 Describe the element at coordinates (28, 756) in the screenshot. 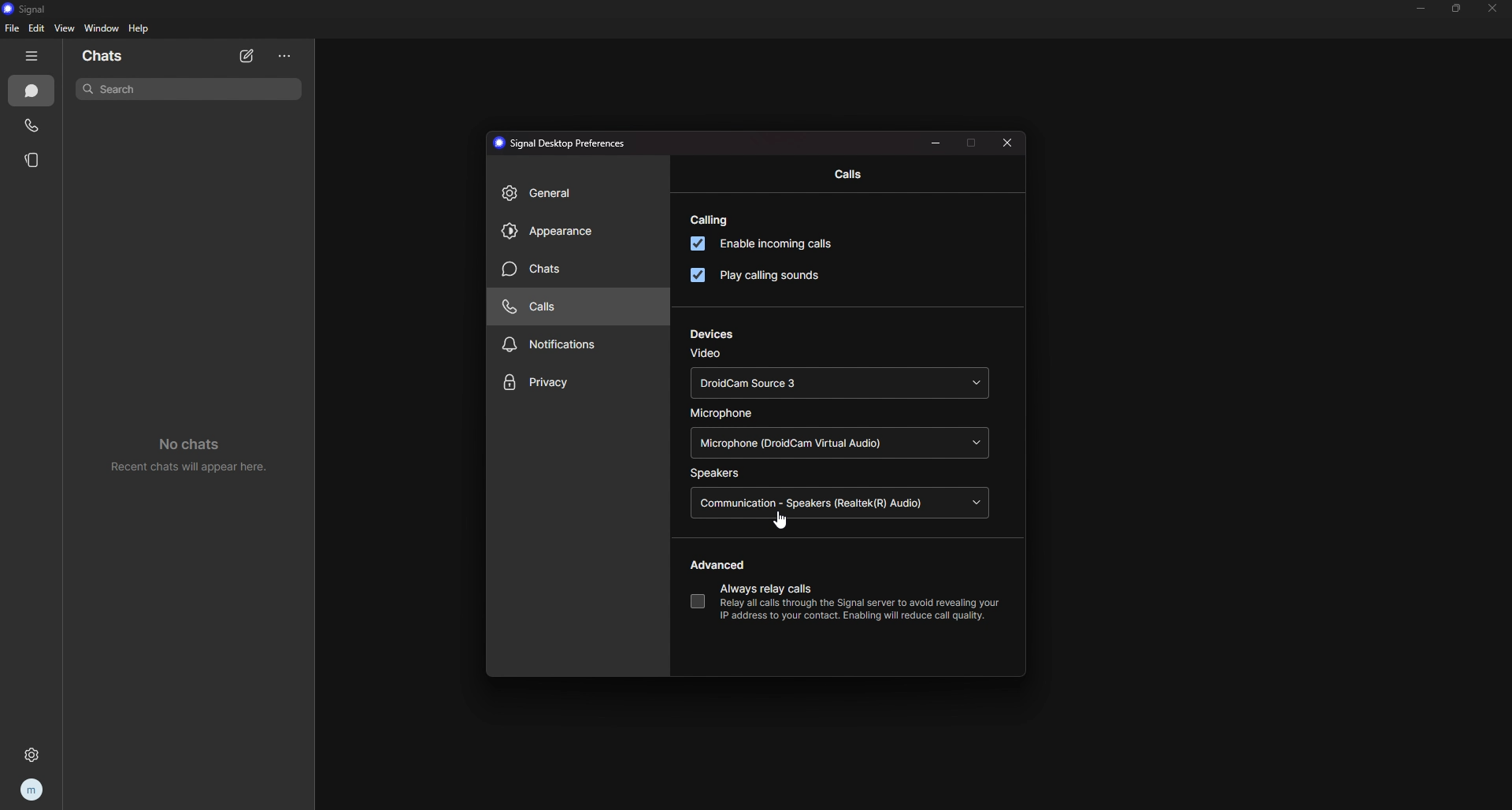

I see `settings` at that location.